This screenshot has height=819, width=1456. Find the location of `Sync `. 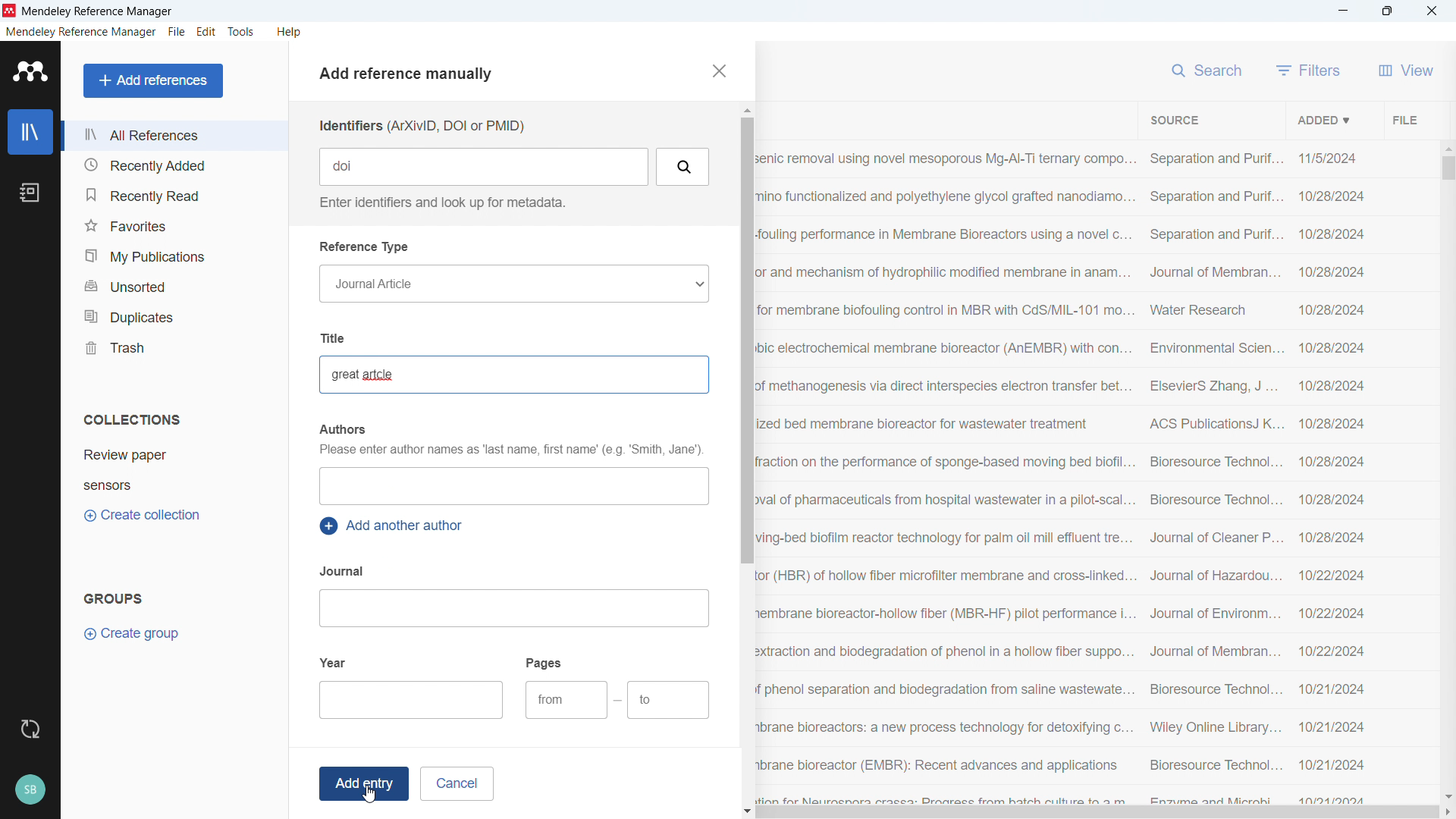

Sync  is located at coordinates (30, 730).